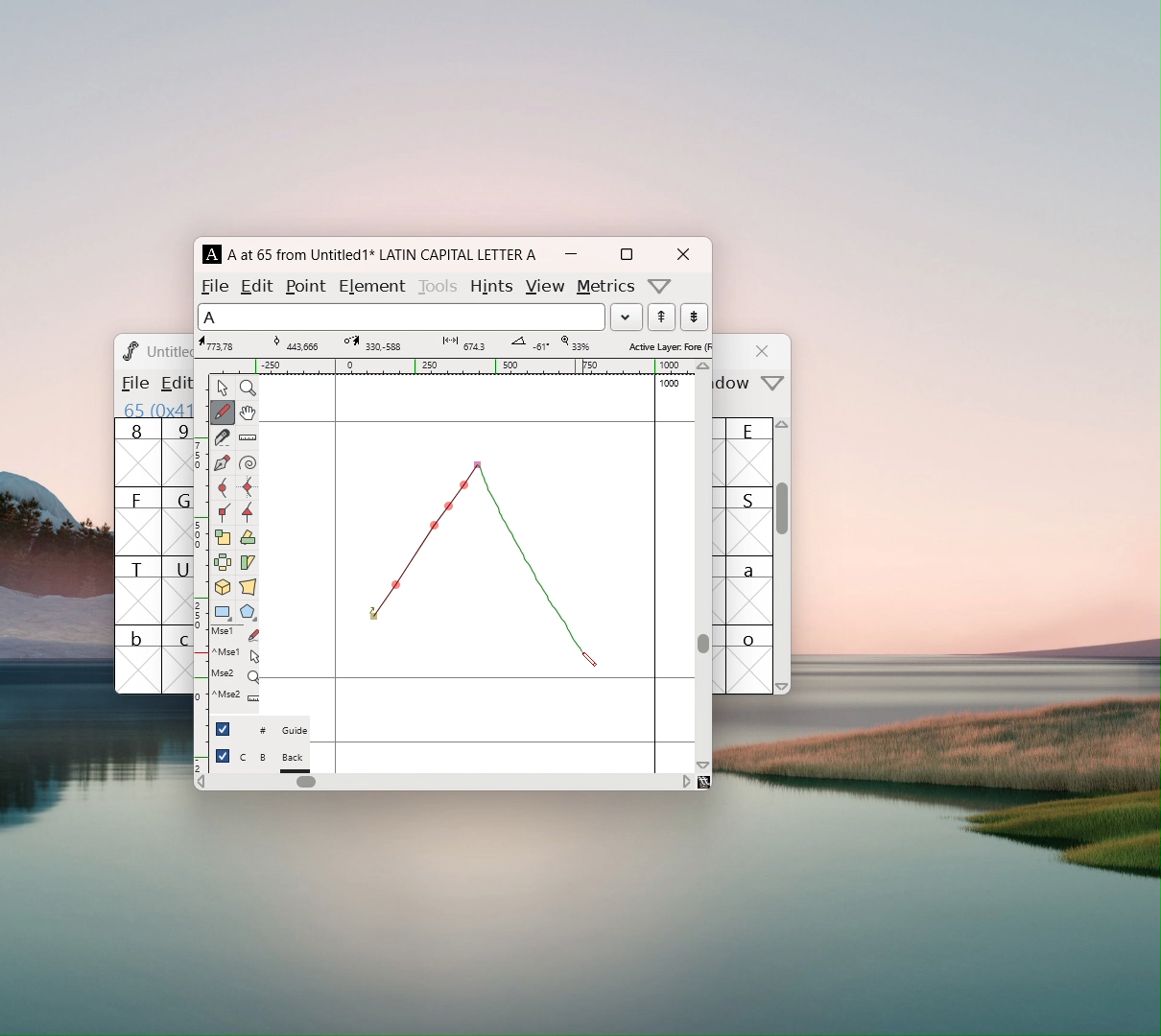 This screenshot has width=1161, height=1036. I want to click on C B Back, so click(273, 760).